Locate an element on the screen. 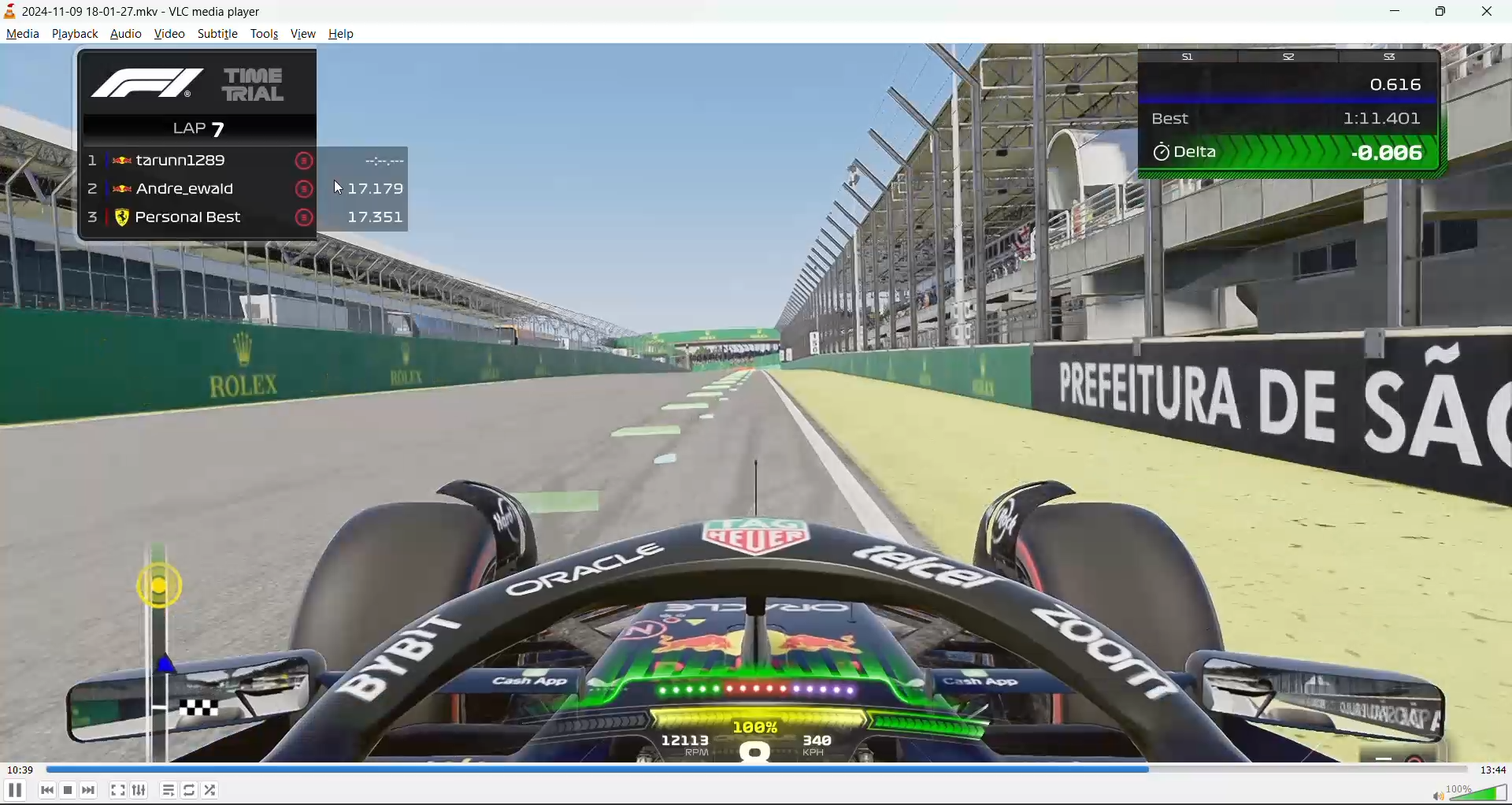  cursor is located at coordinates (337, 191).